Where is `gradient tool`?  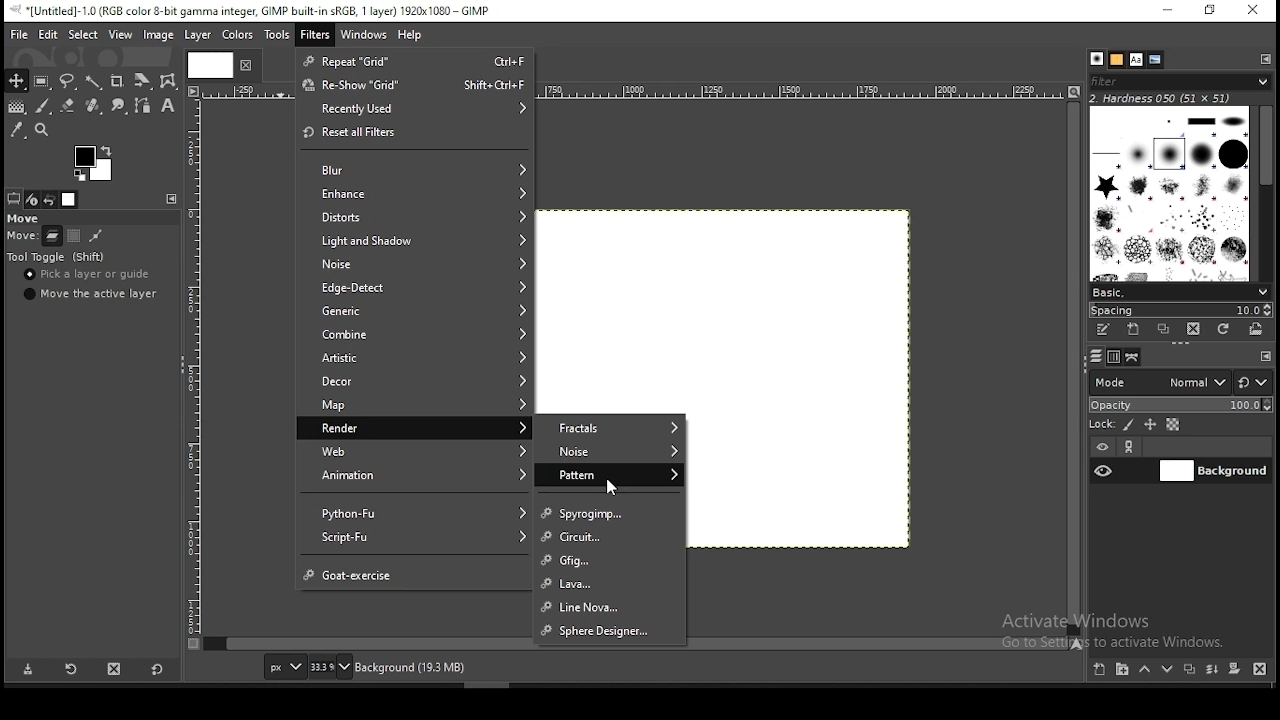 gradient tool is located at coordinates (16, 106).